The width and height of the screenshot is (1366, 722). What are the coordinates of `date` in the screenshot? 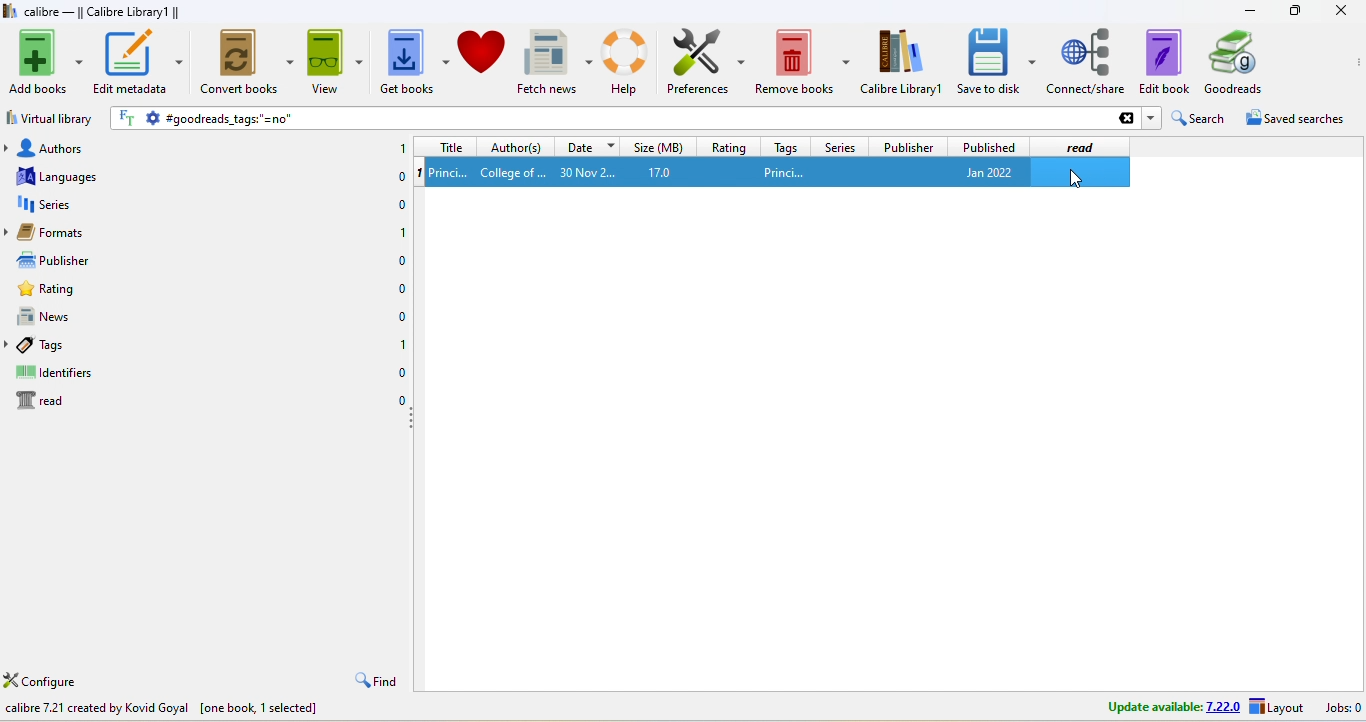 It's located at (586, 147).